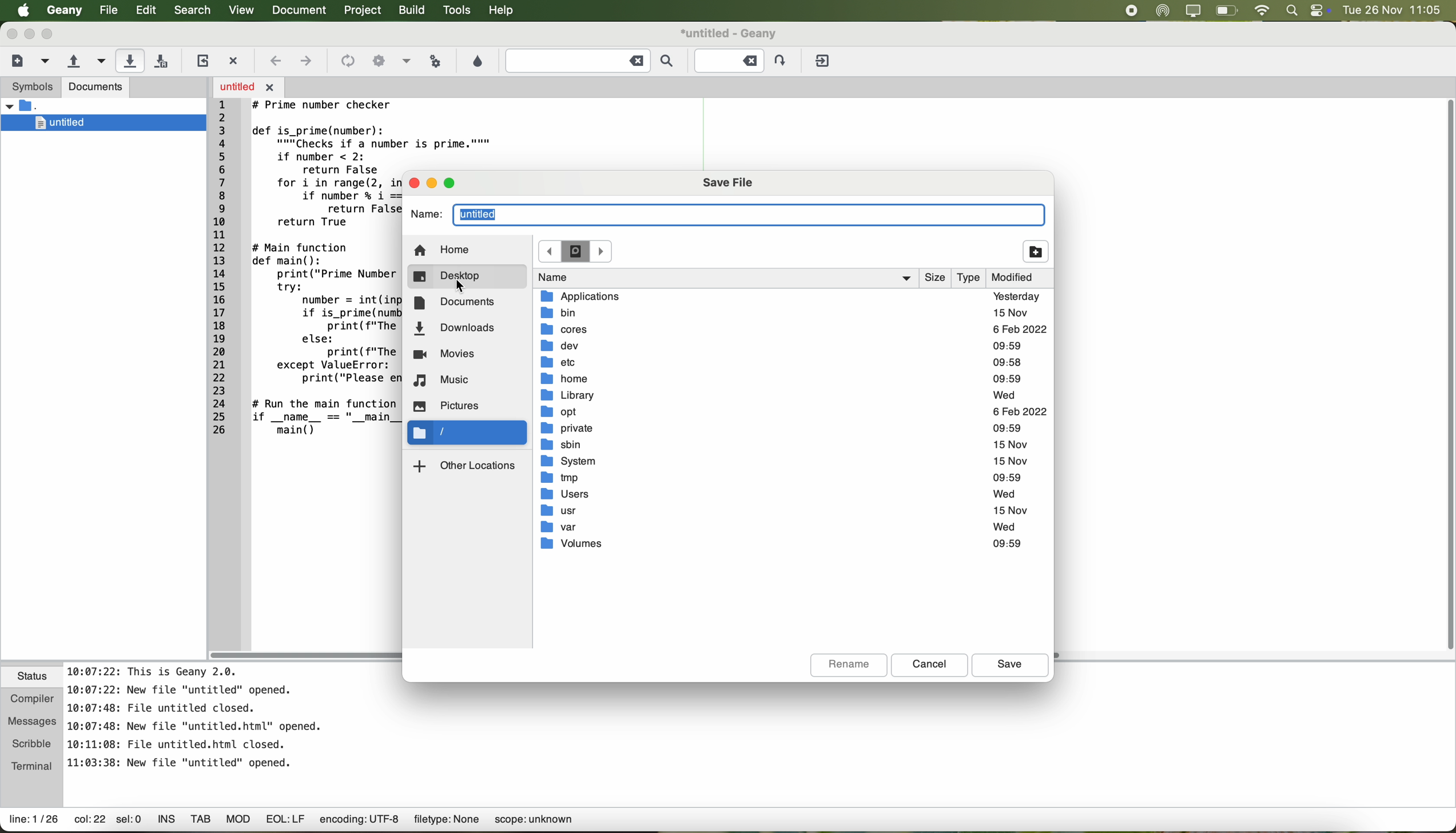 The height and width of the screenshot is (833, 1456). What do you see at coordinates (781, 543) in the screenshot?
I see `volumes` at bounding box center [781, 543].